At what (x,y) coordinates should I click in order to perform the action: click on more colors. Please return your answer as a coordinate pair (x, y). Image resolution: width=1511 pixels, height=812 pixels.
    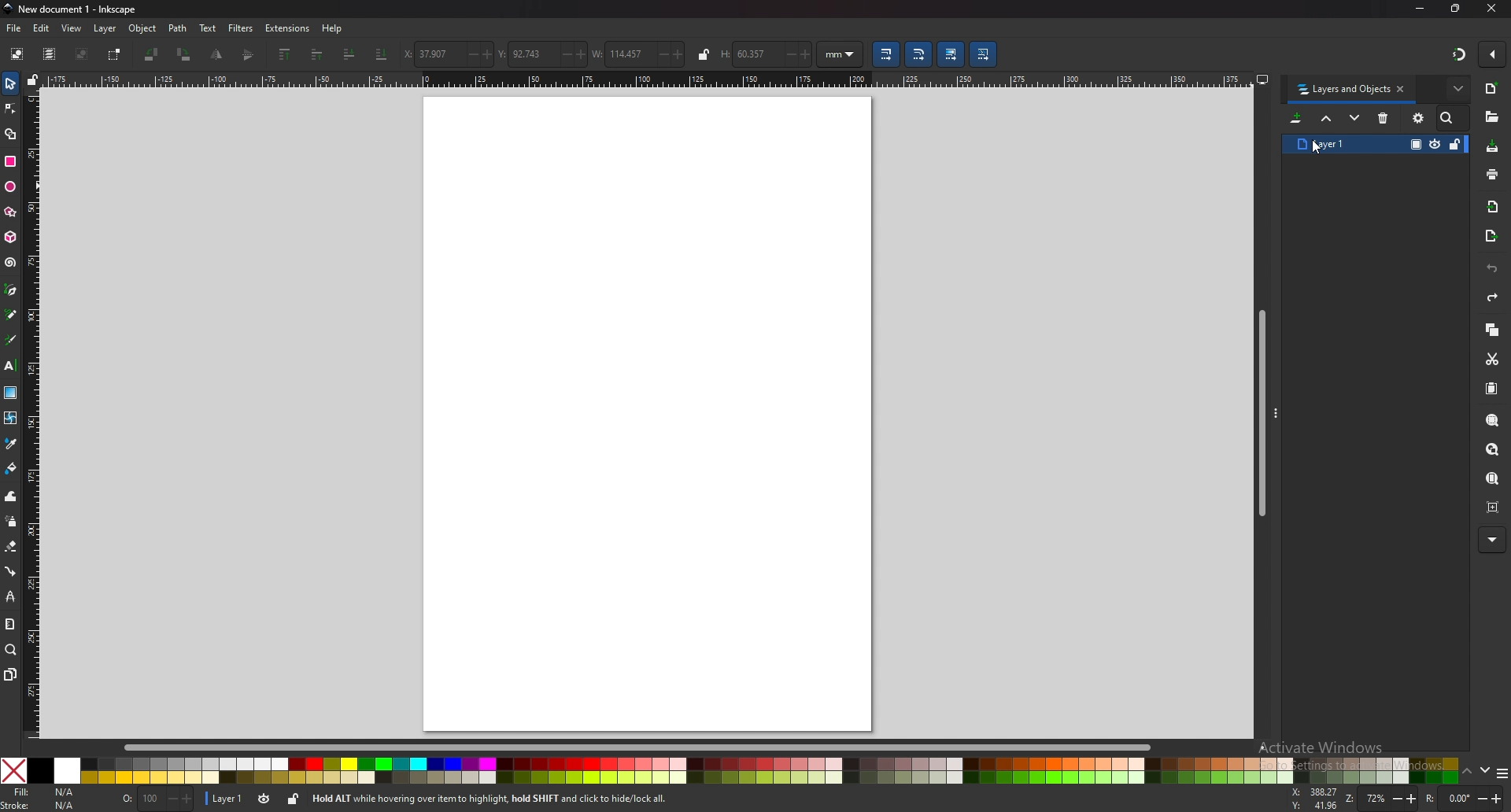
    Looking at the image, I should click on (1502, 773).